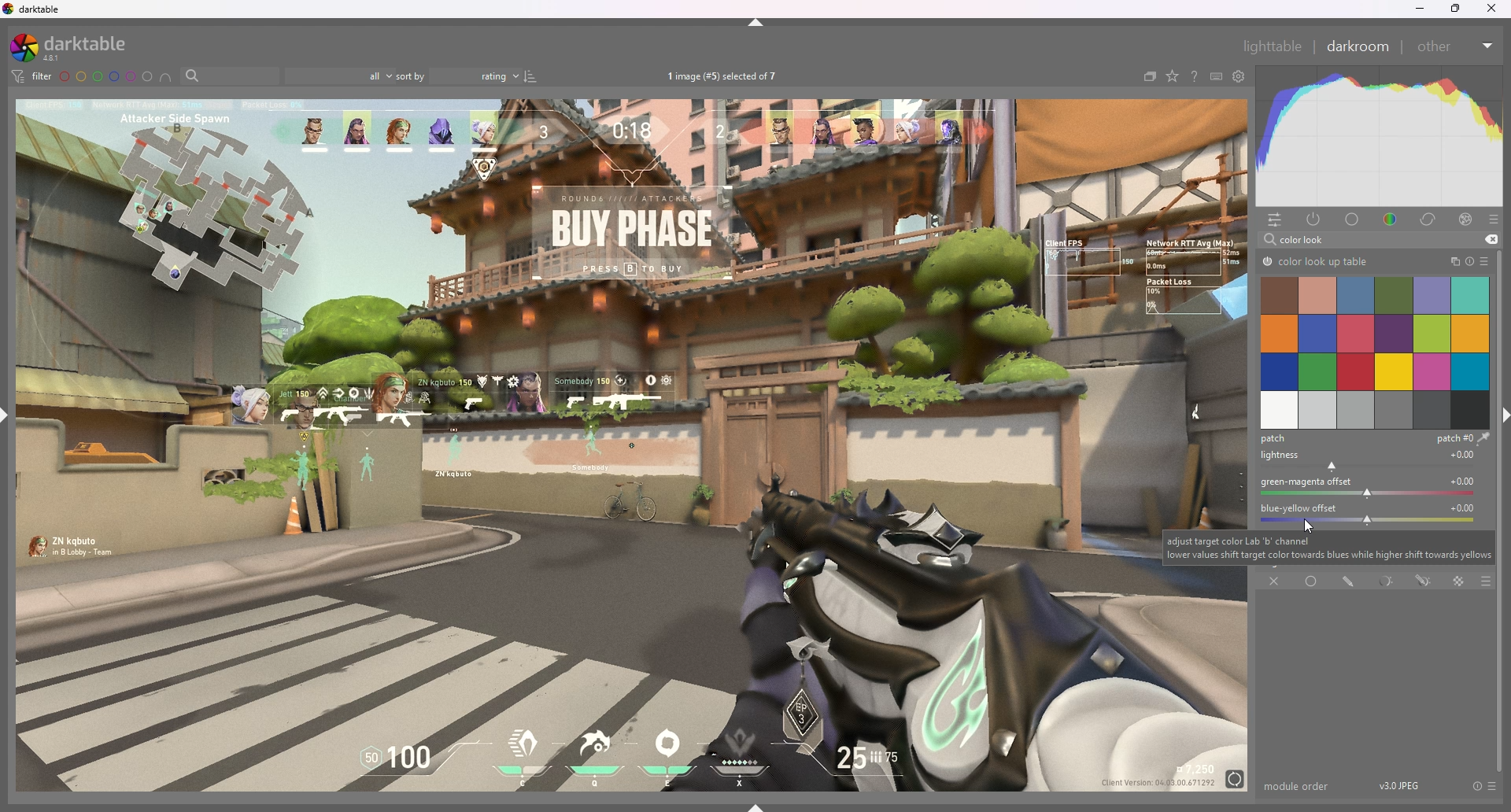 This screenshot has height=812, width=1511. I want to click on lightness, so click(1372, 460).